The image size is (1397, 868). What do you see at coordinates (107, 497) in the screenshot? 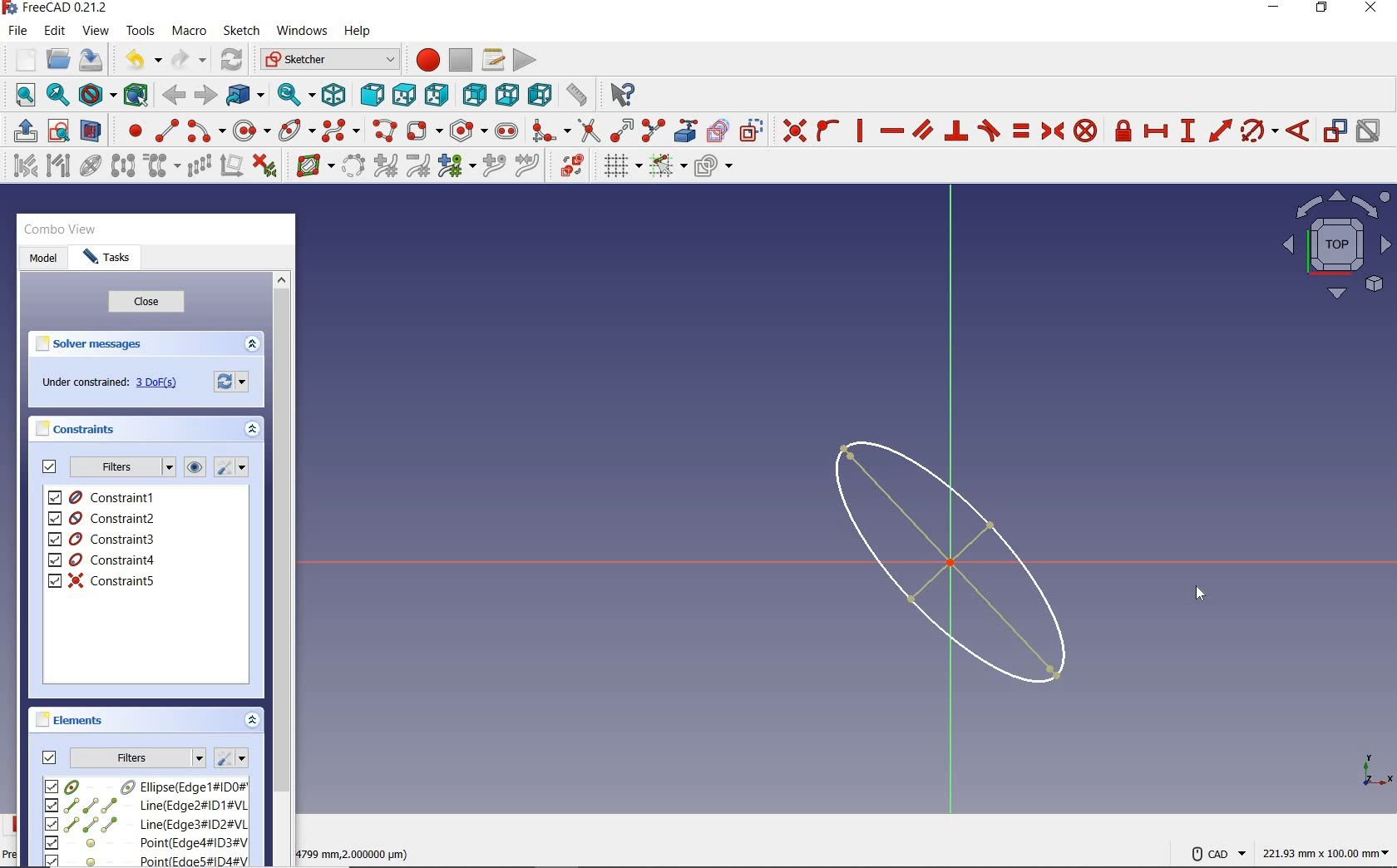
I see `constraint1` at bounding box center [107, 497].